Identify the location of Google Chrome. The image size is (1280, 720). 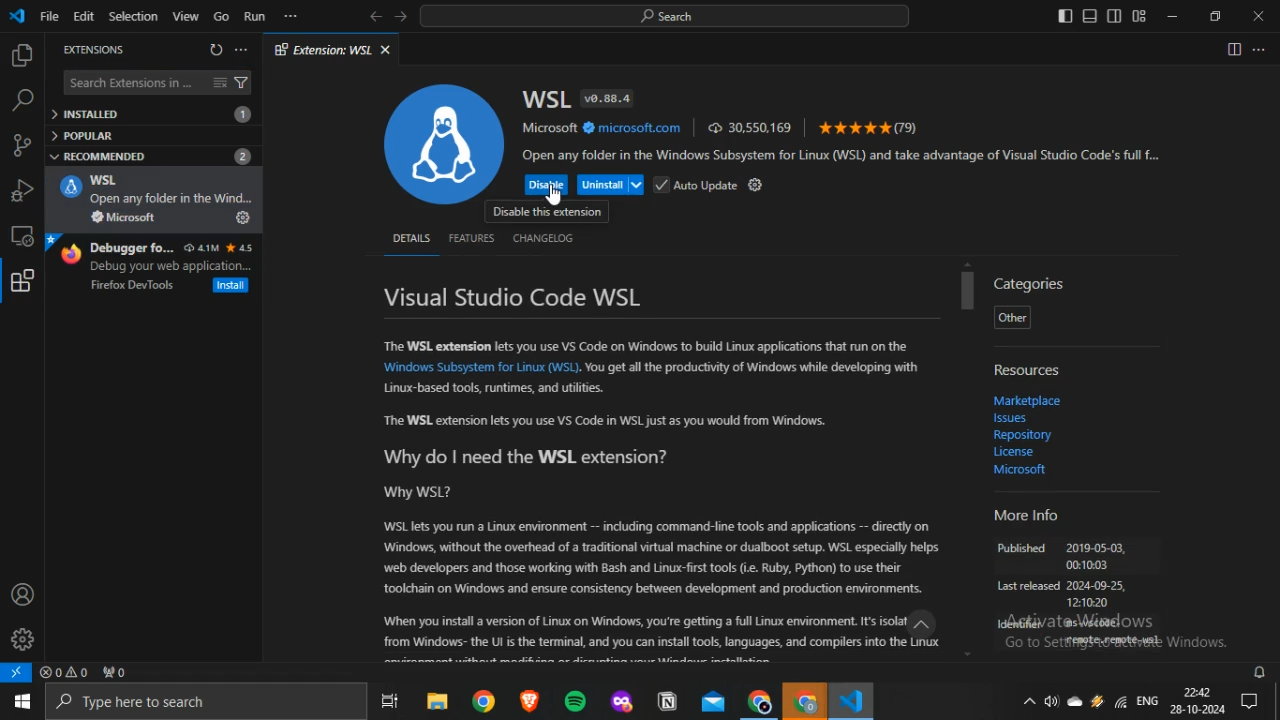
(803, 700).